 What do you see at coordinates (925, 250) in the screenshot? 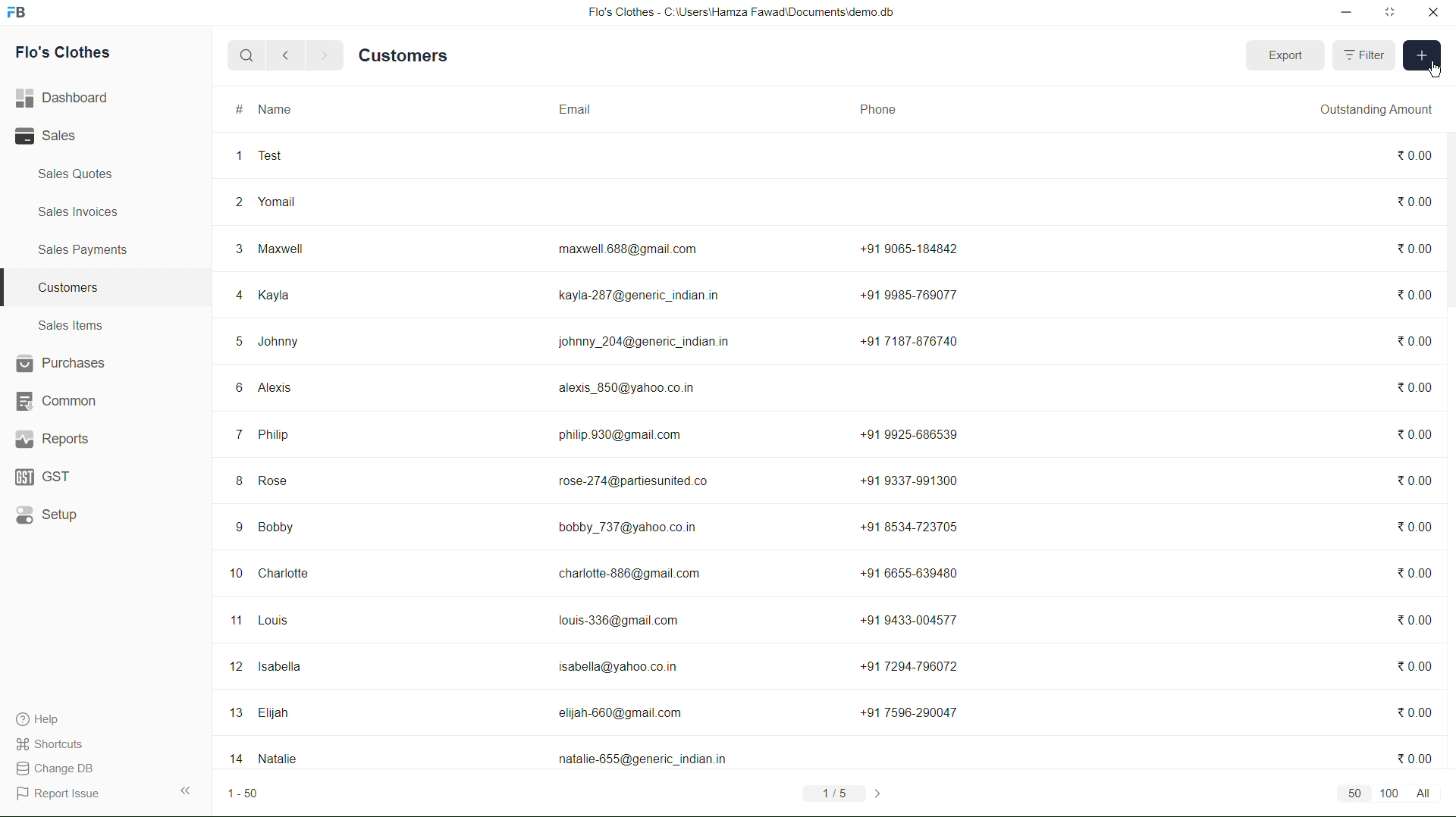
I see ` +91 9065-184842` at bounding box center [925, 250].